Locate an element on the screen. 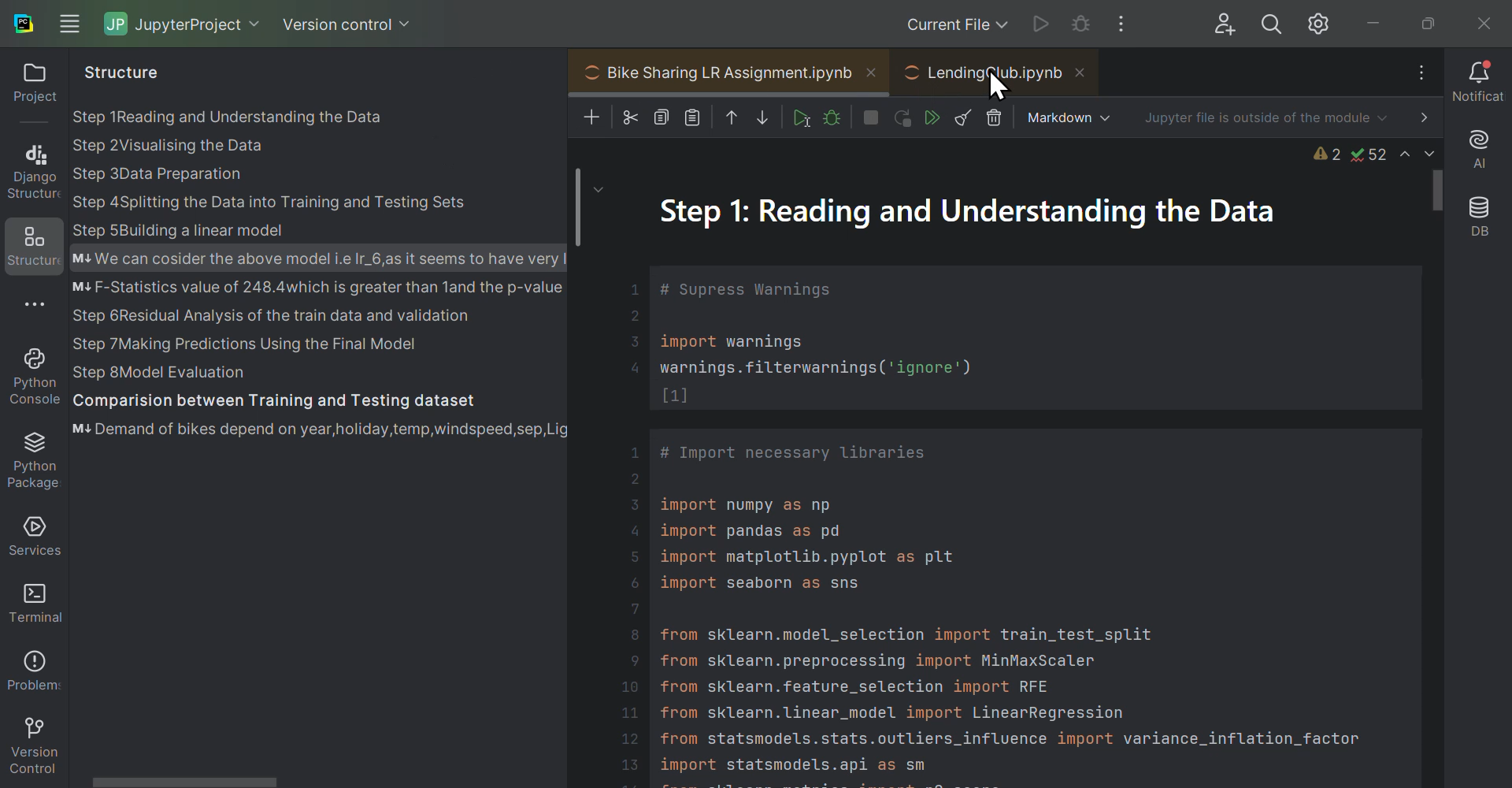 The image size is (1512, 788). Notifications is located at coordinates (1480, 84).